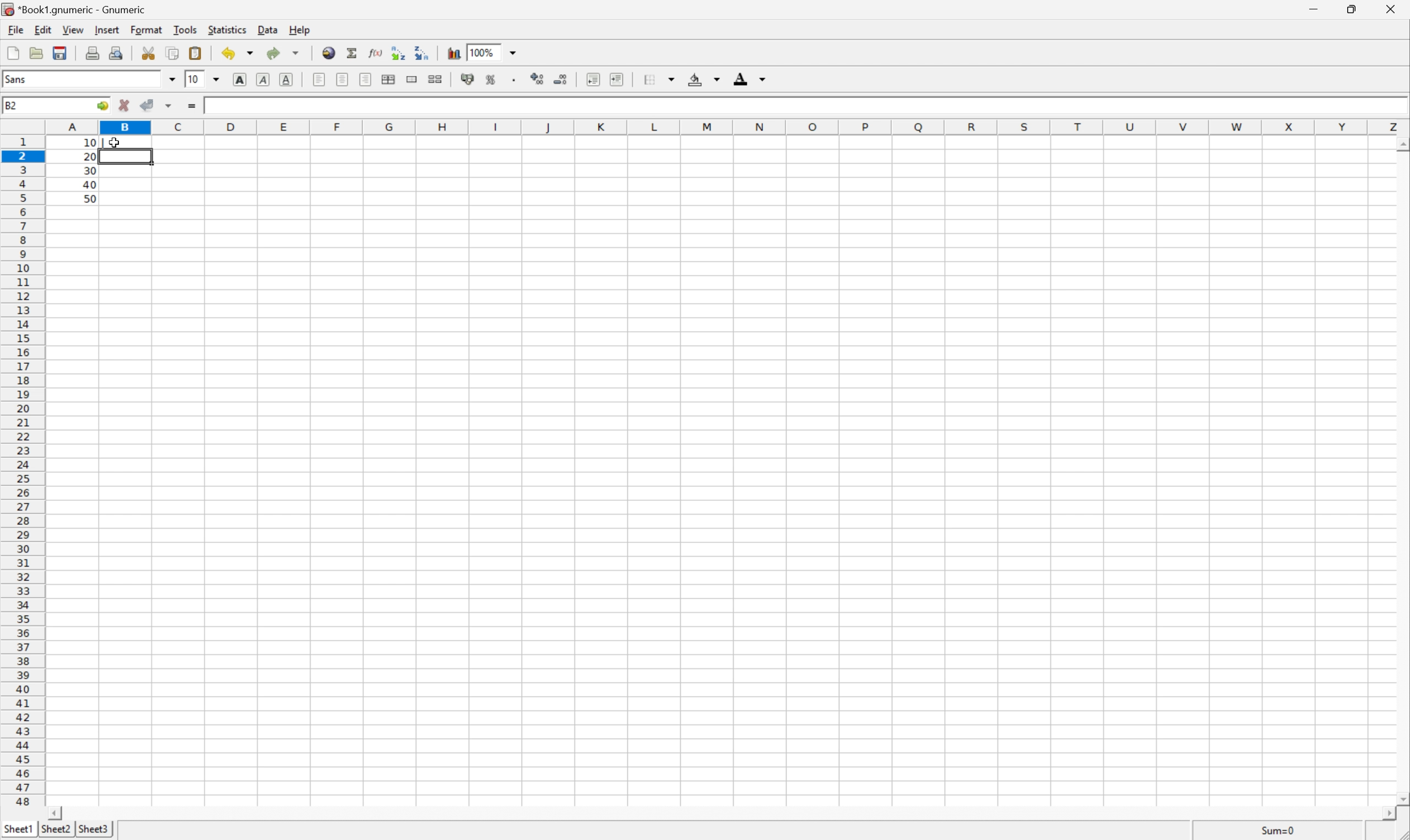  Describe the element at coordinates (1353, 9) in the screenshot. I see `Restore Down` at that location.